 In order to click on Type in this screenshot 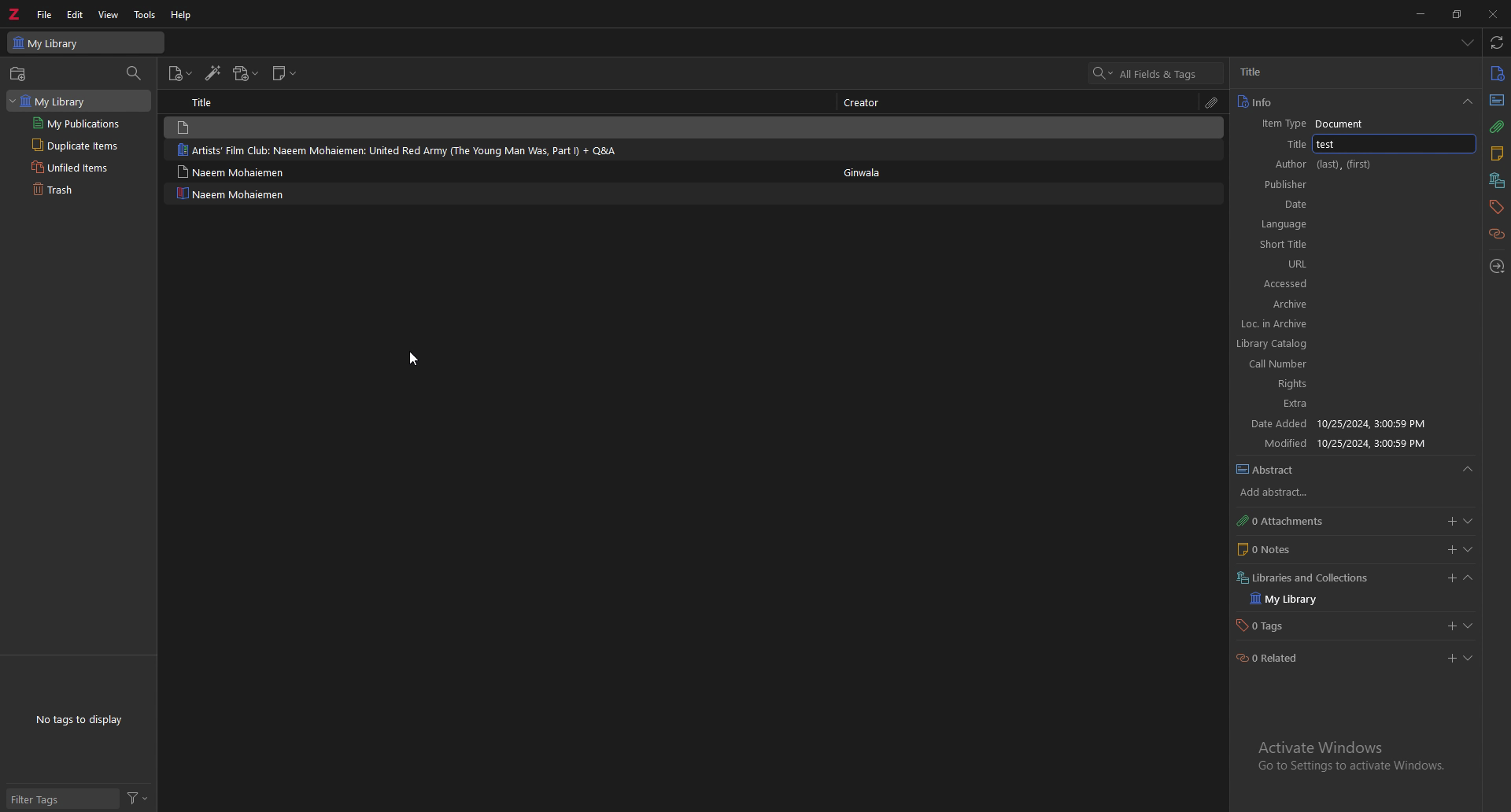, I will do `click(1498, 101)`.